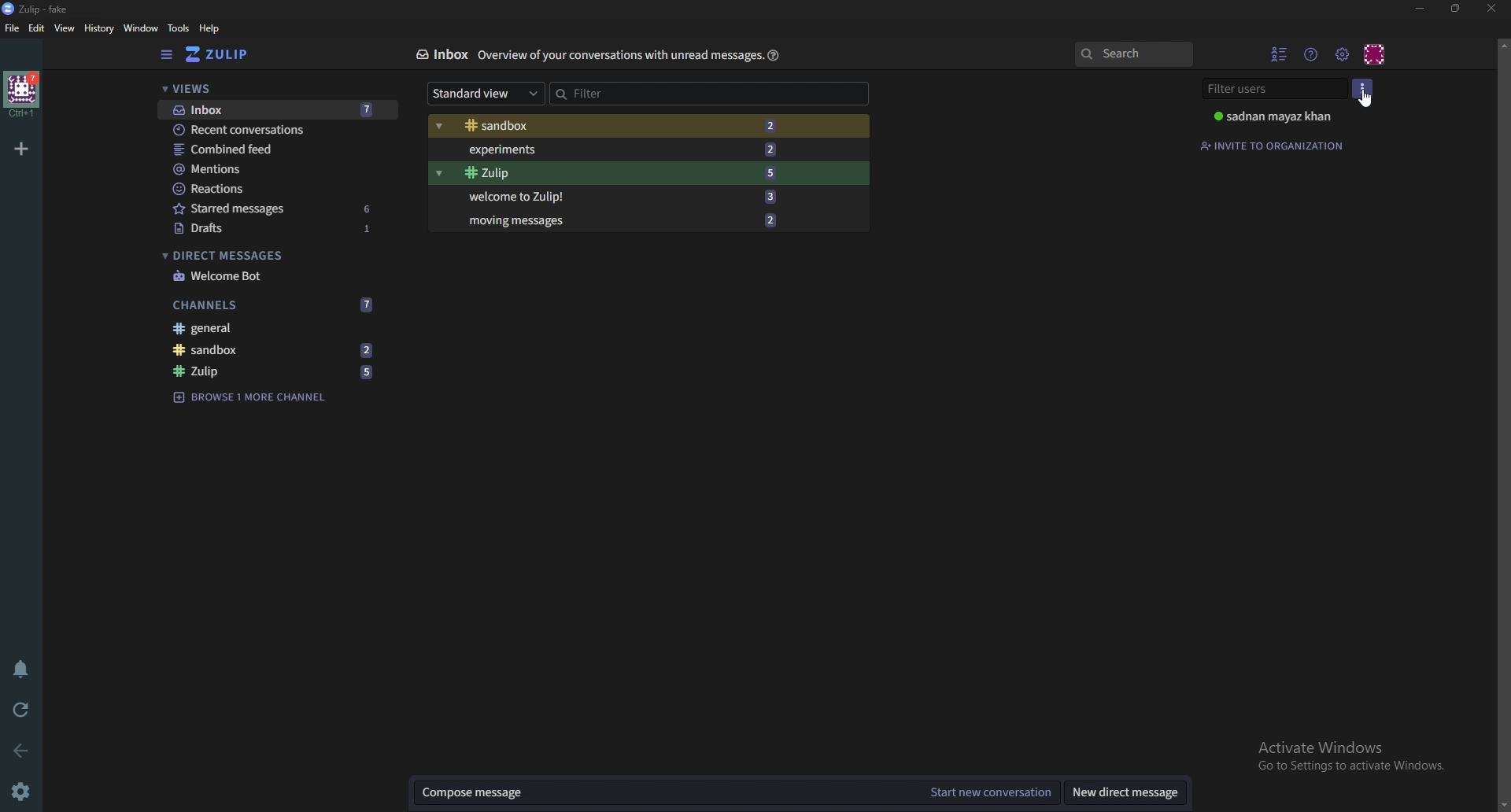 The image size is (1511, 812). I want to click on Personal menu, so click(1373, 52).